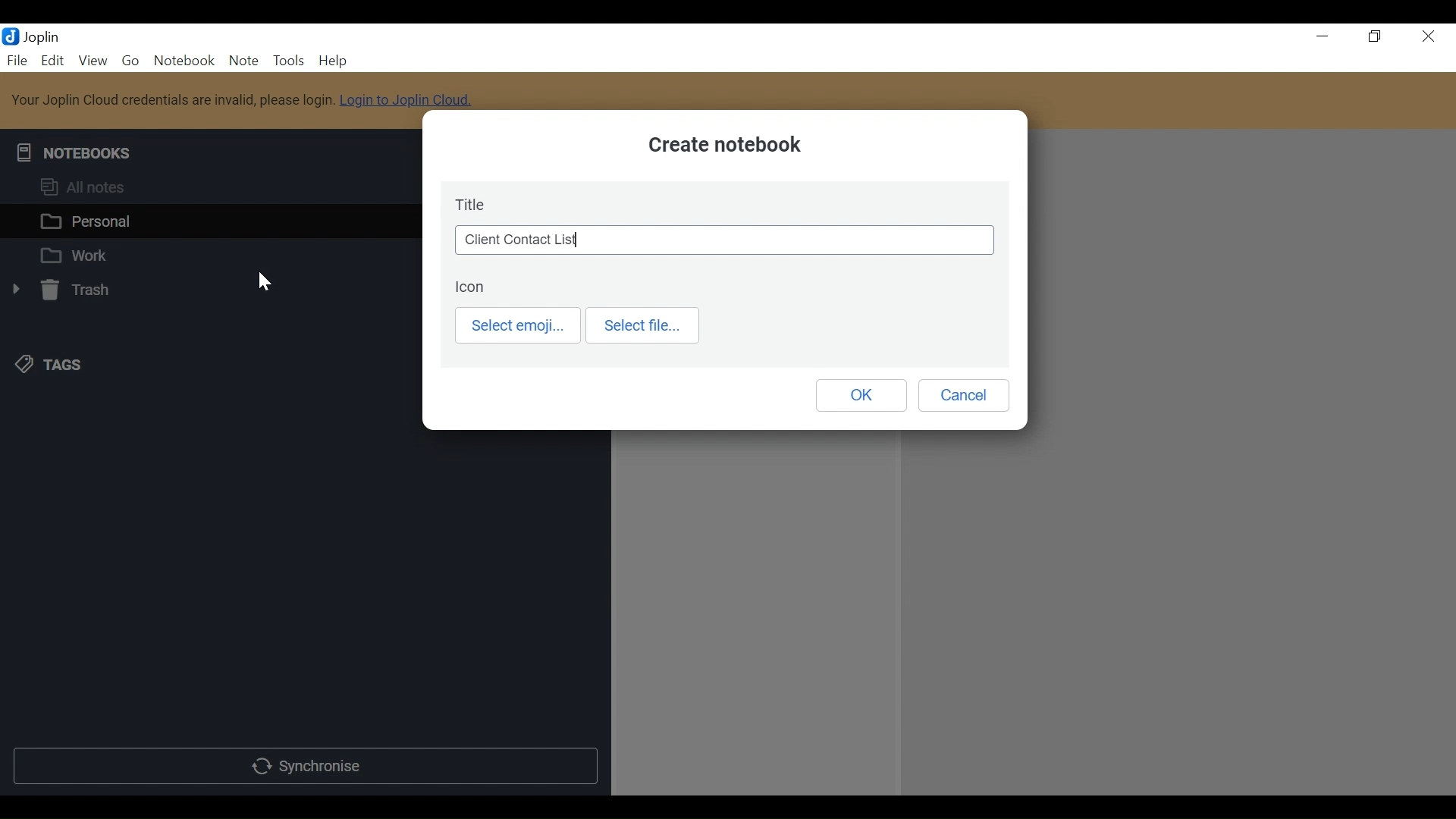 The width and height of the screenshot is (1456, 819). Describe the element at coordinates (130, 61) in the screenshot. I see `Go` at that location.